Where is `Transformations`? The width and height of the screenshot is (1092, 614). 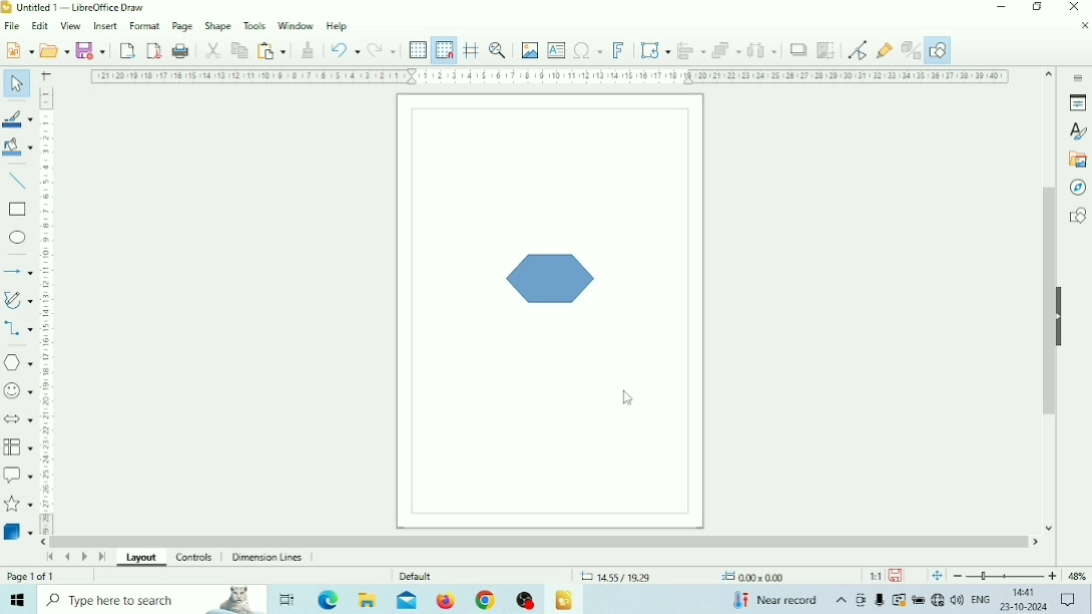
Transformations is located at coordinates (654, 49).